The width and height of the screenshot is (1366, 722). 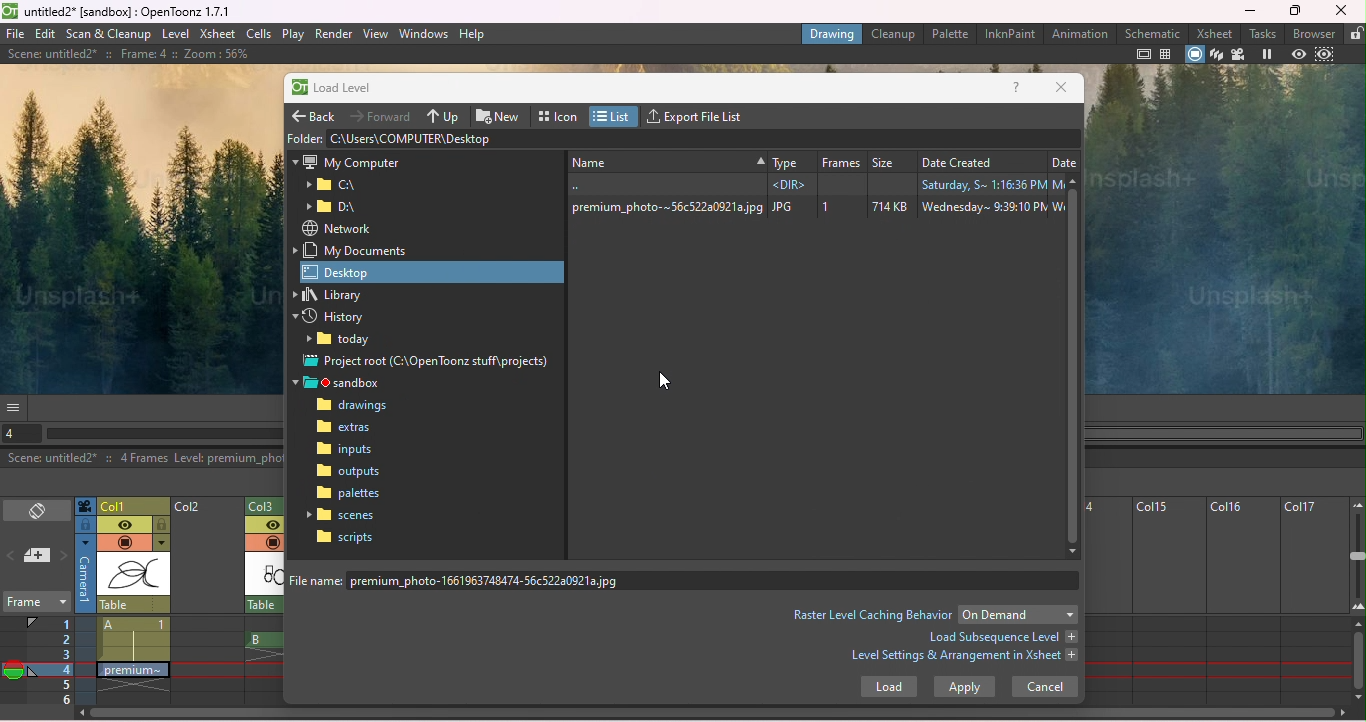 I want to click on Edit, so click(x=47, y=34).